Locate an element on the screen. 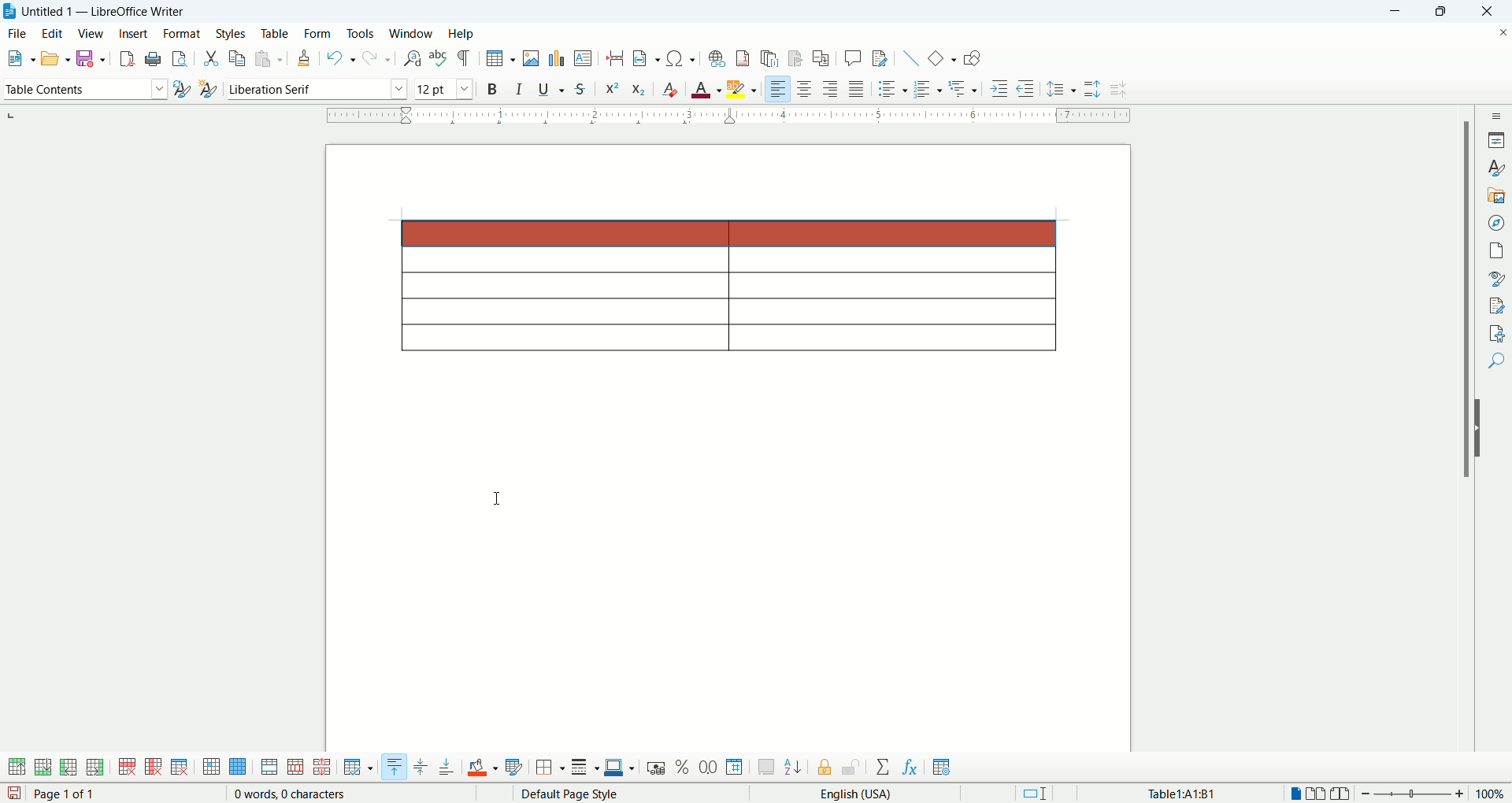 The width and height of the screenshot is (1512, 803). insert endnote is located at coordinates (773, 58).